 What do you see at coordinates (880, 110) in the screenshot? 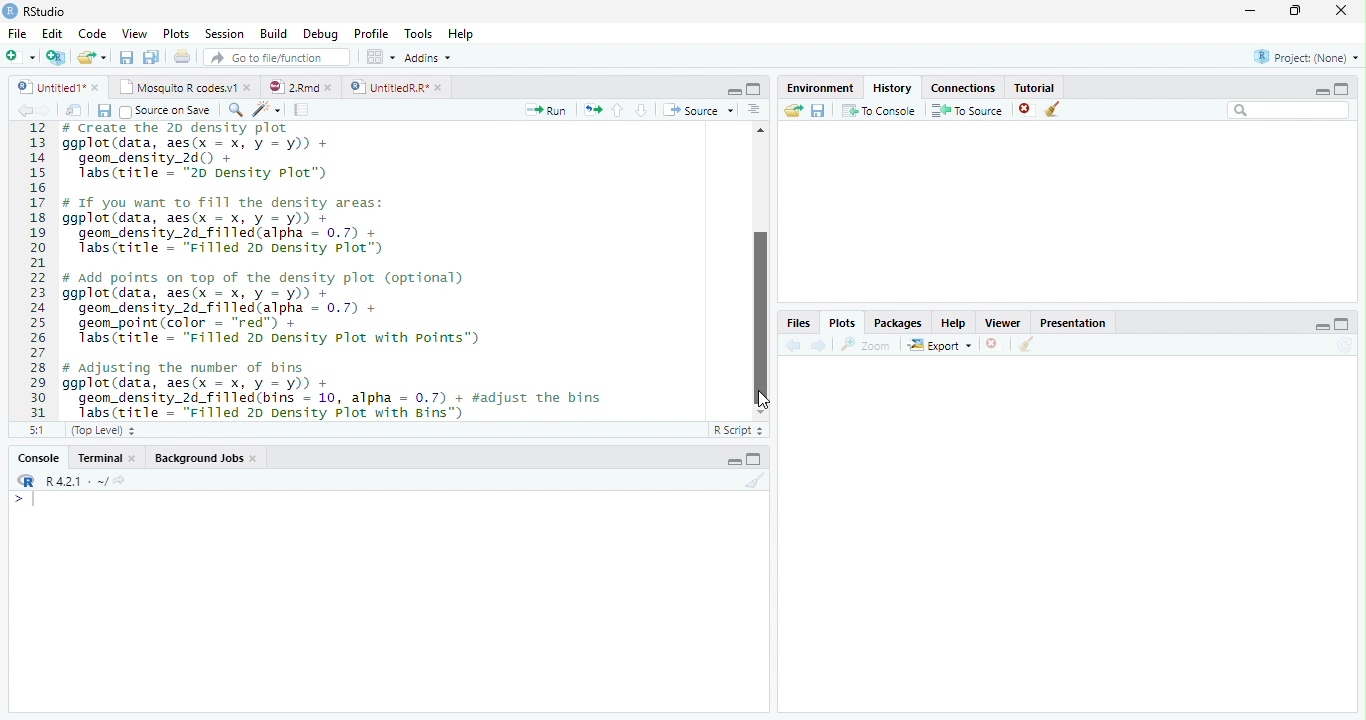
I see `To console` at bounding box center [880, 110].